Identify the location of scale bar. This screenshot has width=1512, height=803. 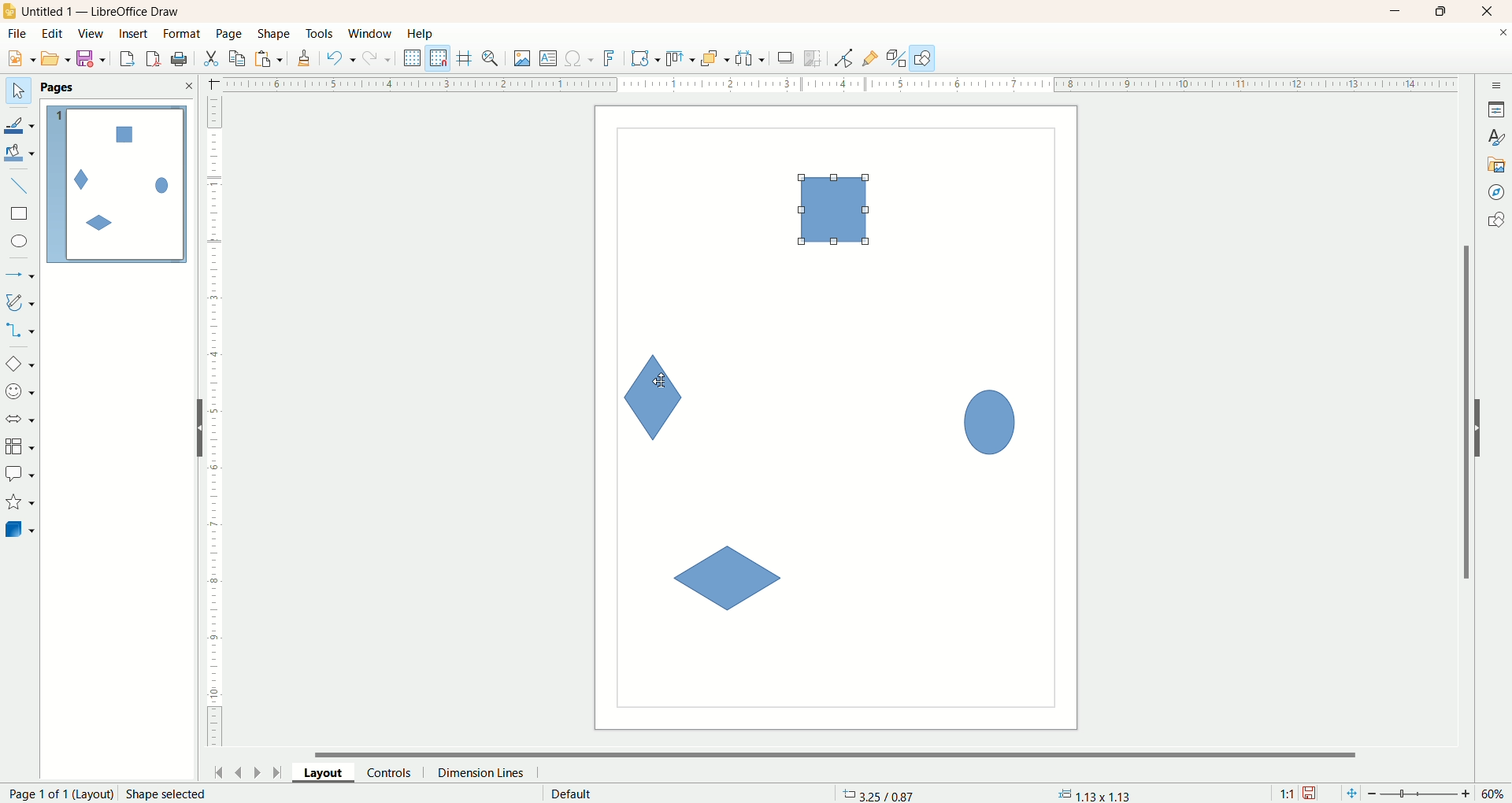
(214, 425).